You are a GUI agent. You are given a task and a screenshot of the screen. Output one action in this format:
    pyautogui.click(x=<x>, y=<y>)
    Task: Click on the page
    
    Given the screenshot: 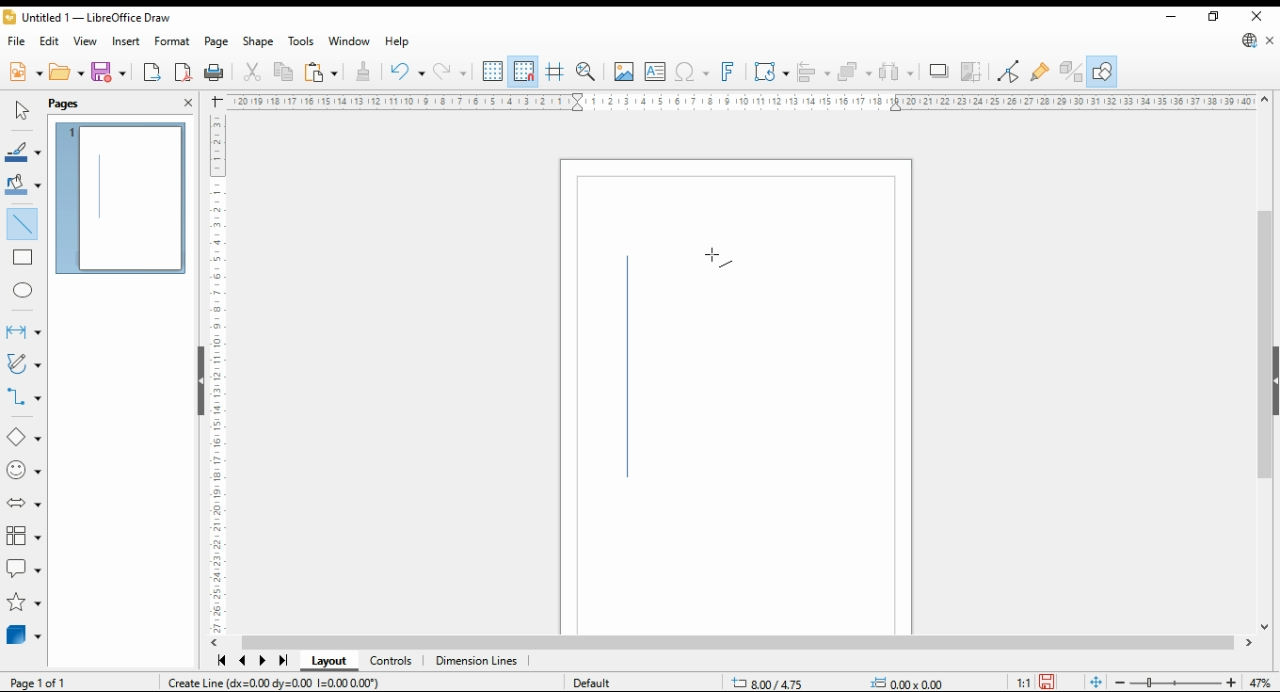 What is the action you would take?
    pyautogui.click(x=216, y=42)
    